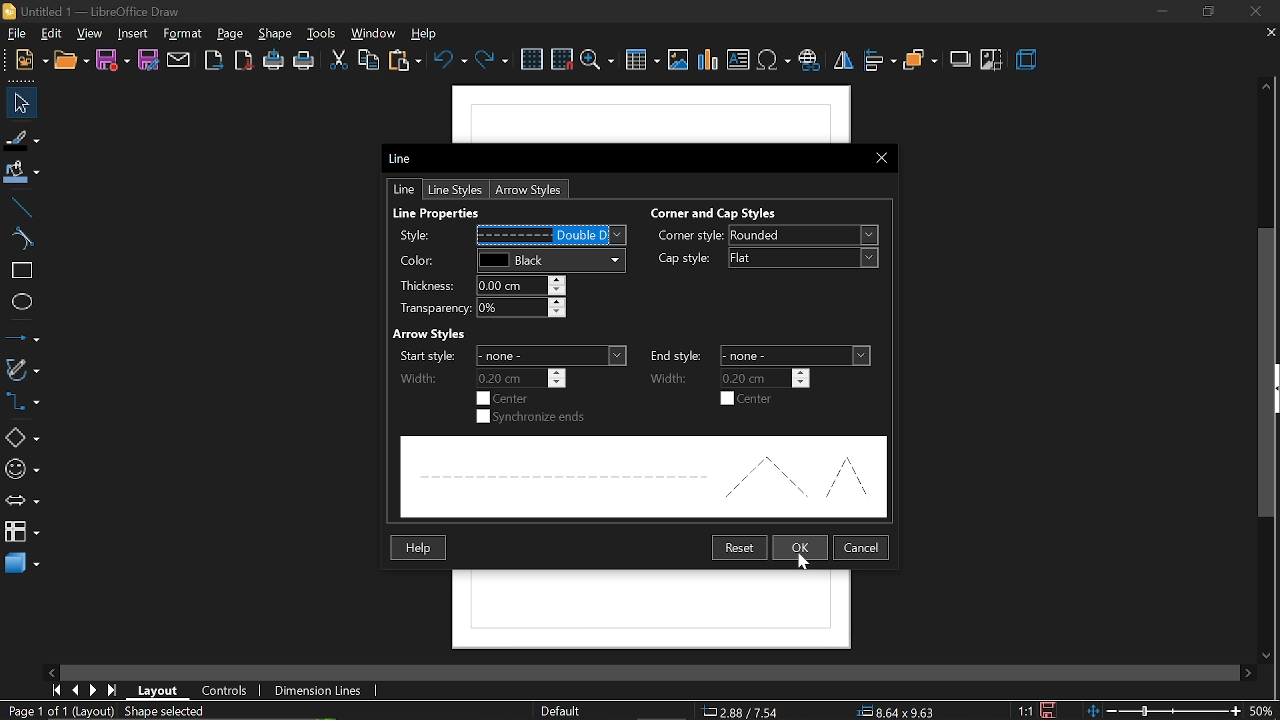  What do you see at coordinates (131, 34) in the screenshot?
I see `insert` at bounding box center [131, 34].